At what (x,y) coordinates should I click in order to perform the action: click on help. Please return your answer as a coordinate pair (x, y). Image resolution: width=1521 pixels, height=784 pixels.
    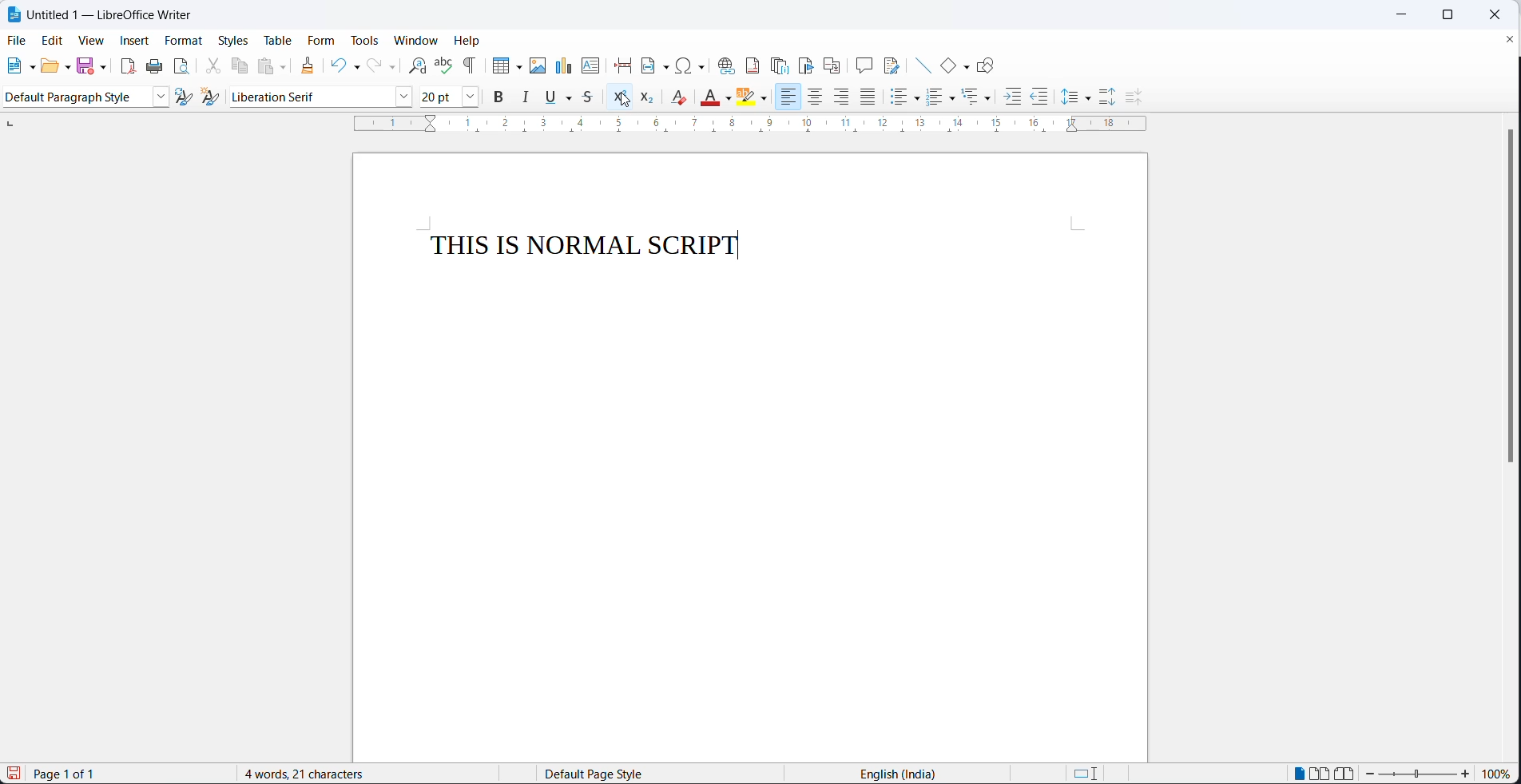
    Looking at the image, I should click on (467, 40).